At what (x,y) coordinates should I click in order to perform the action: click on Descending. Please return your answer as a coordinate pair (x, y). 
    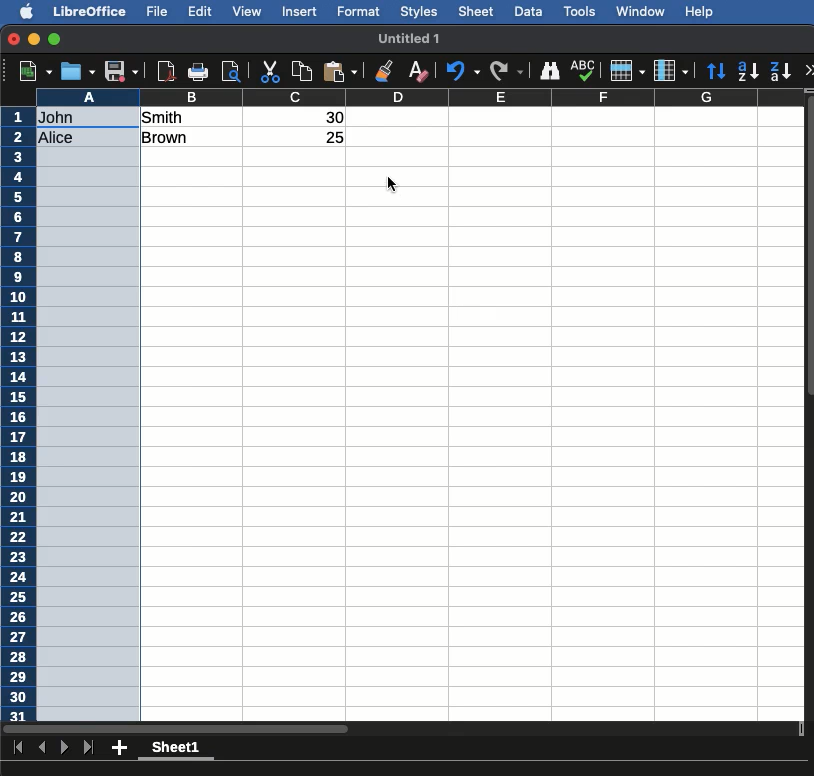
    Looking at the image, I should click on (781, 71).